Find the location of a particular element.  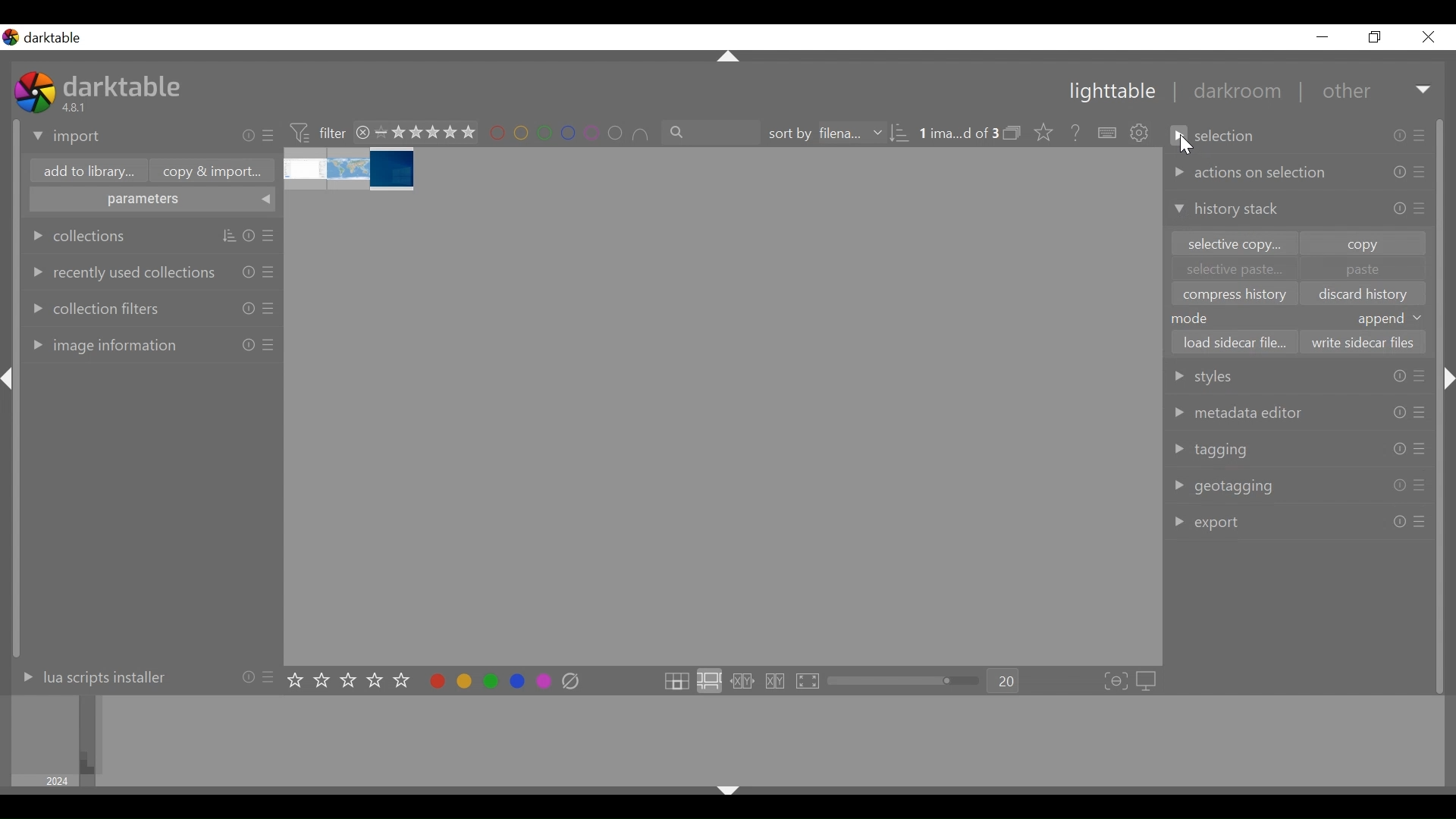

presets is located at coordinates (1423, 172).